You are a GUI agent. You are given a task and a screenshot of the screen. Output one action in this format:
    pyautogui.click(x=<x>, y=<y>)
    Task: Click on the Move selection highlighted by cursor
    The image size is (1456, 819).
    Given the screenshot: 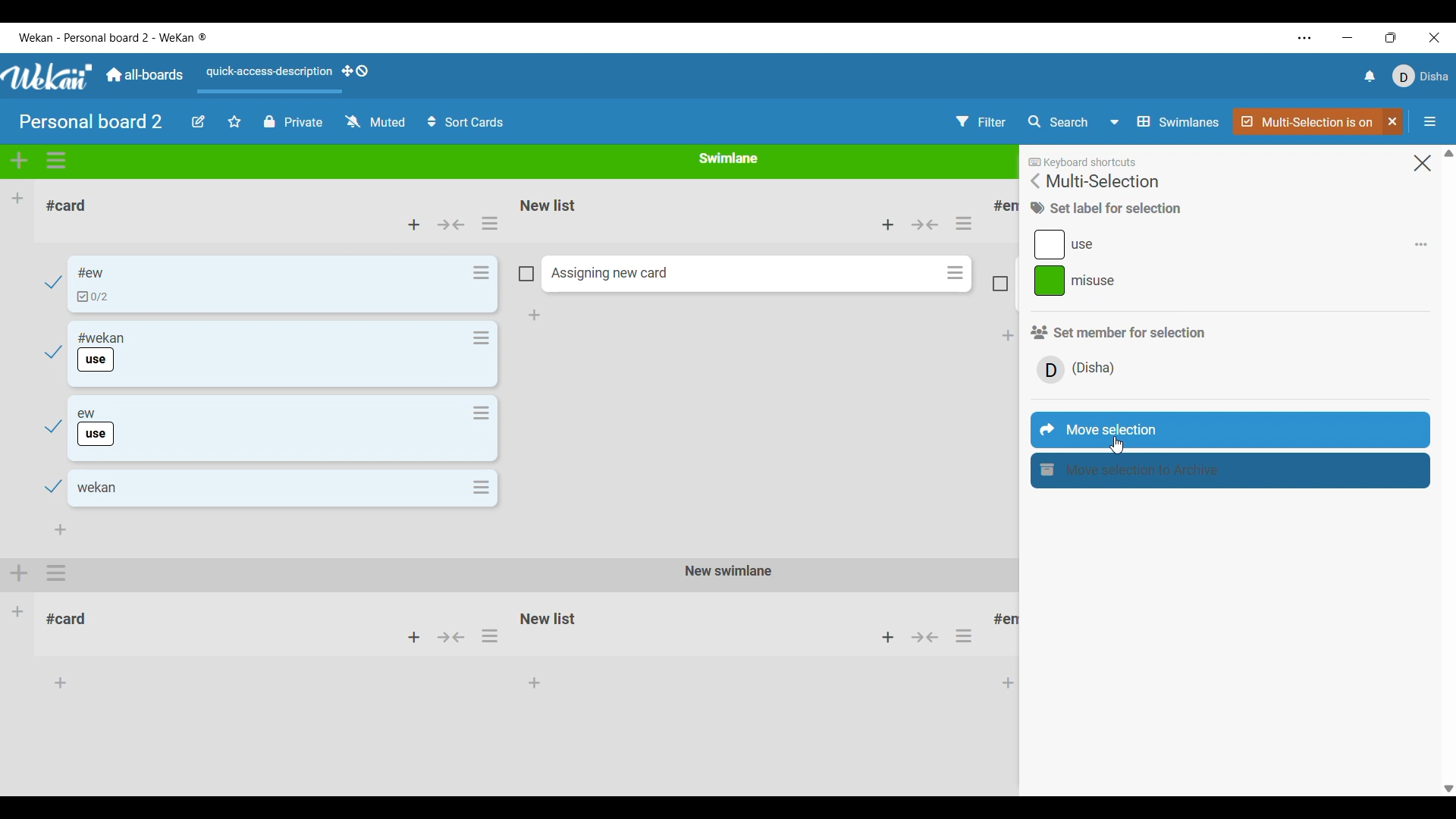 What is the action you would take?
    pyautogui.click(x=1231, y=431)
    